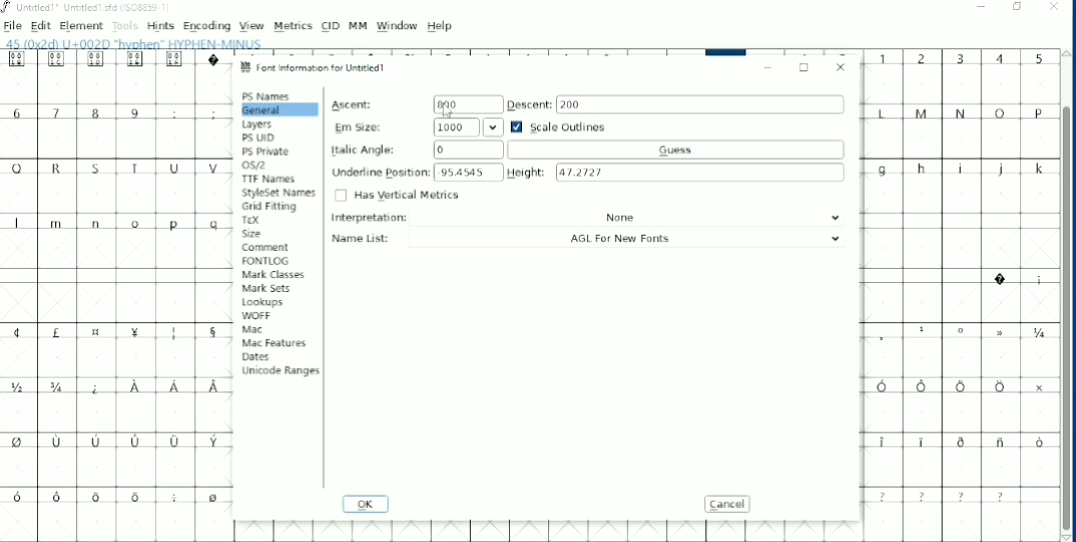 This screenshot has width=1076, height=542. Describe the element at coordinates (397, 195) in the screenshot. I see `Has Vertical Metrics` at that location.